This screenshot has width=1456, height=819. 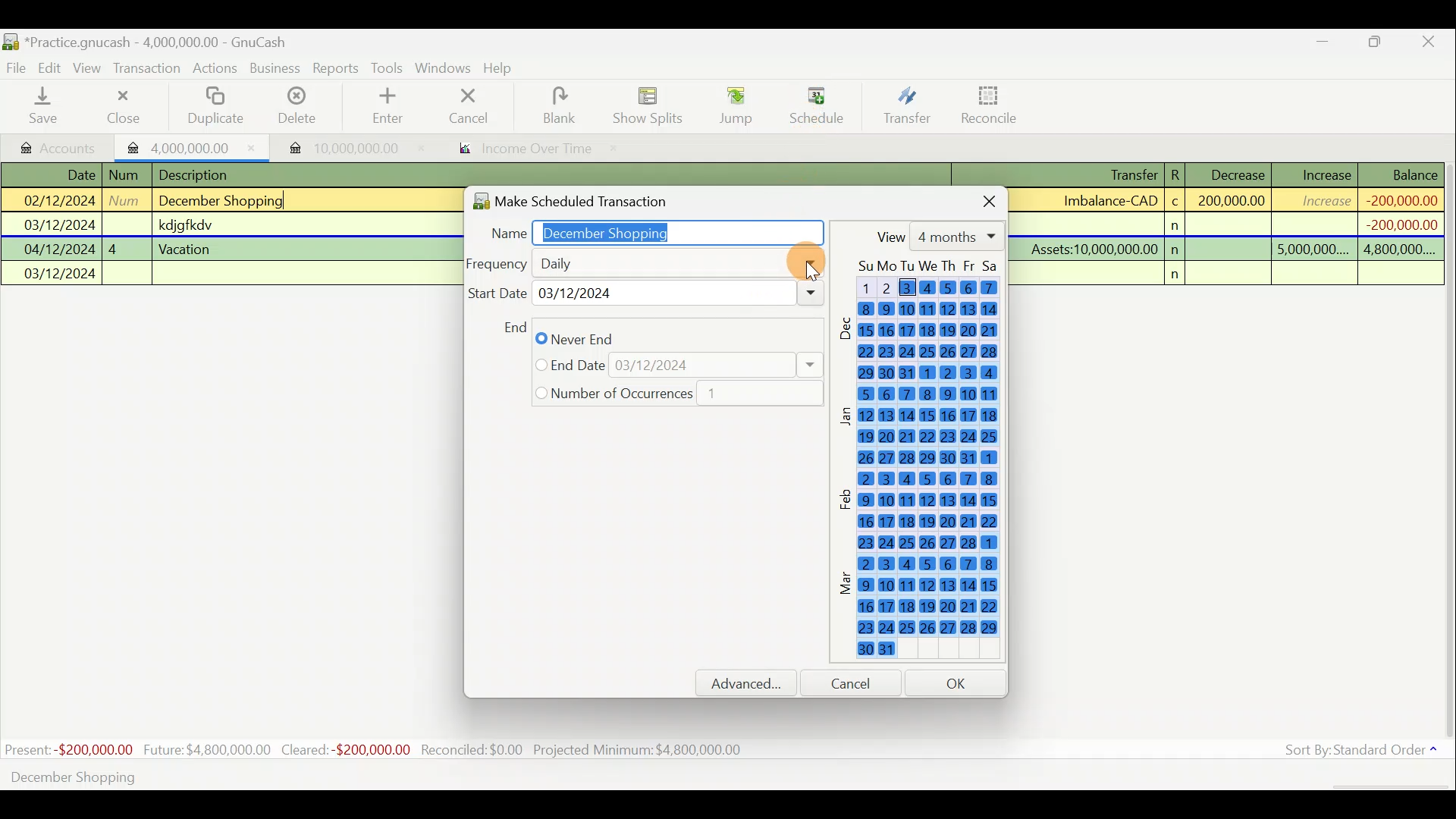 I want to click on Reports, so click(x=336, y=68).